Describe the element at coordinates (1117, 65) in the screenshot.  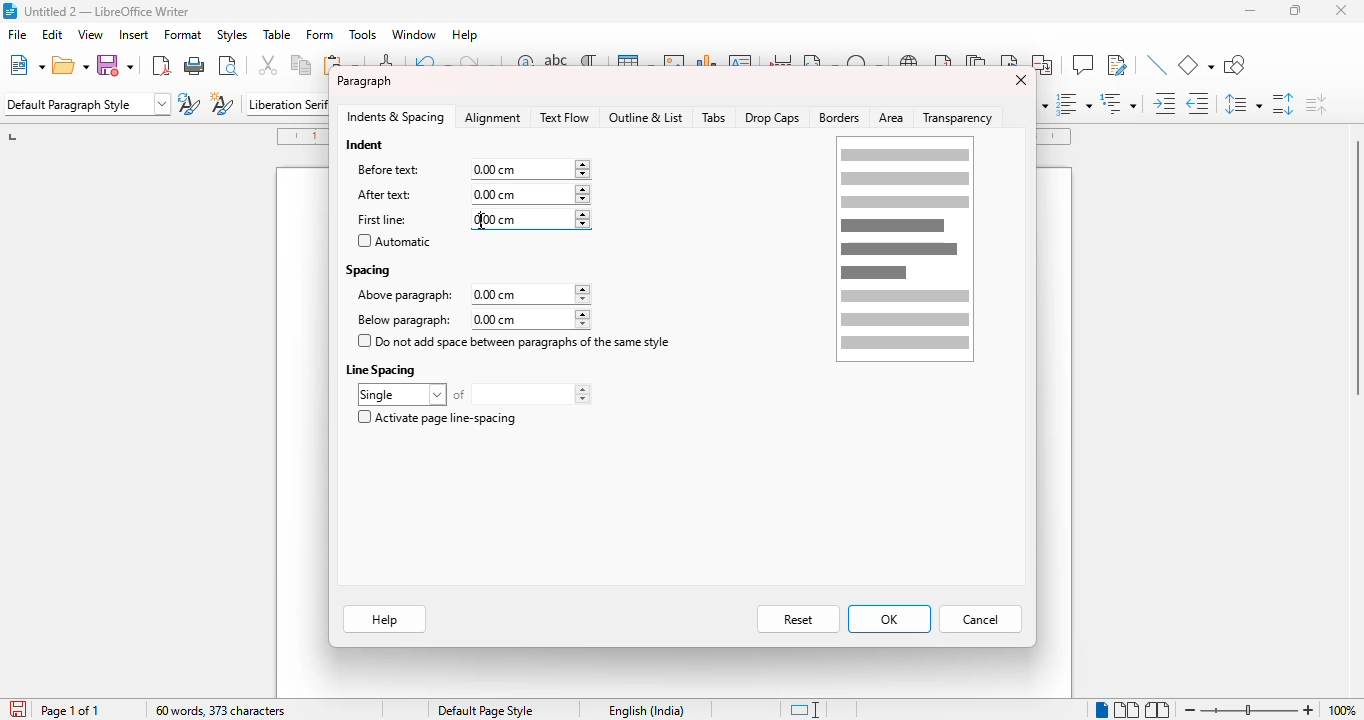
I see `show track changes functions` at that location.